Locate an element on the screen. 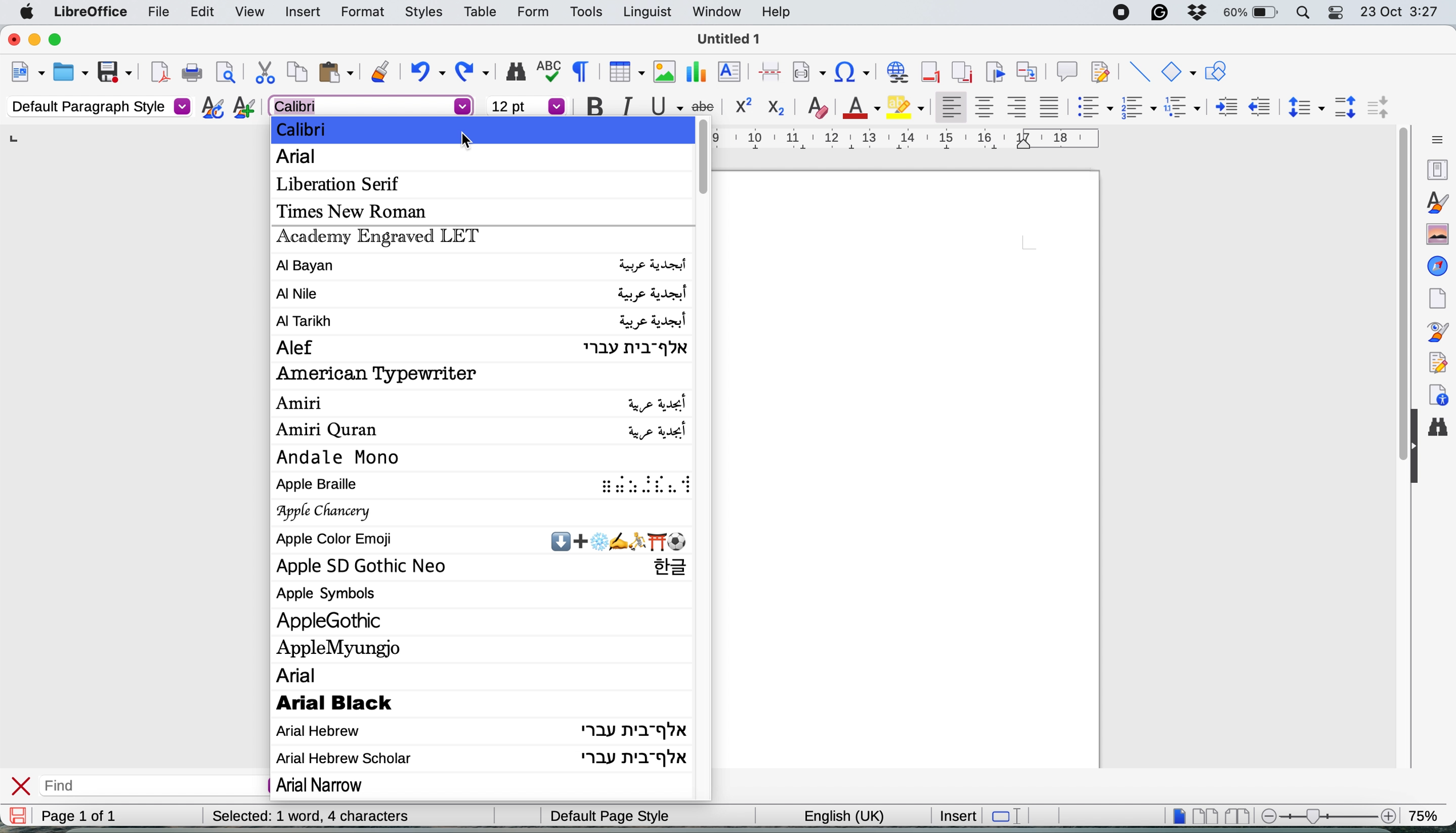 The width and height of the screenshot is (1456, 833). gallery is located at coordinates (1435, 234).